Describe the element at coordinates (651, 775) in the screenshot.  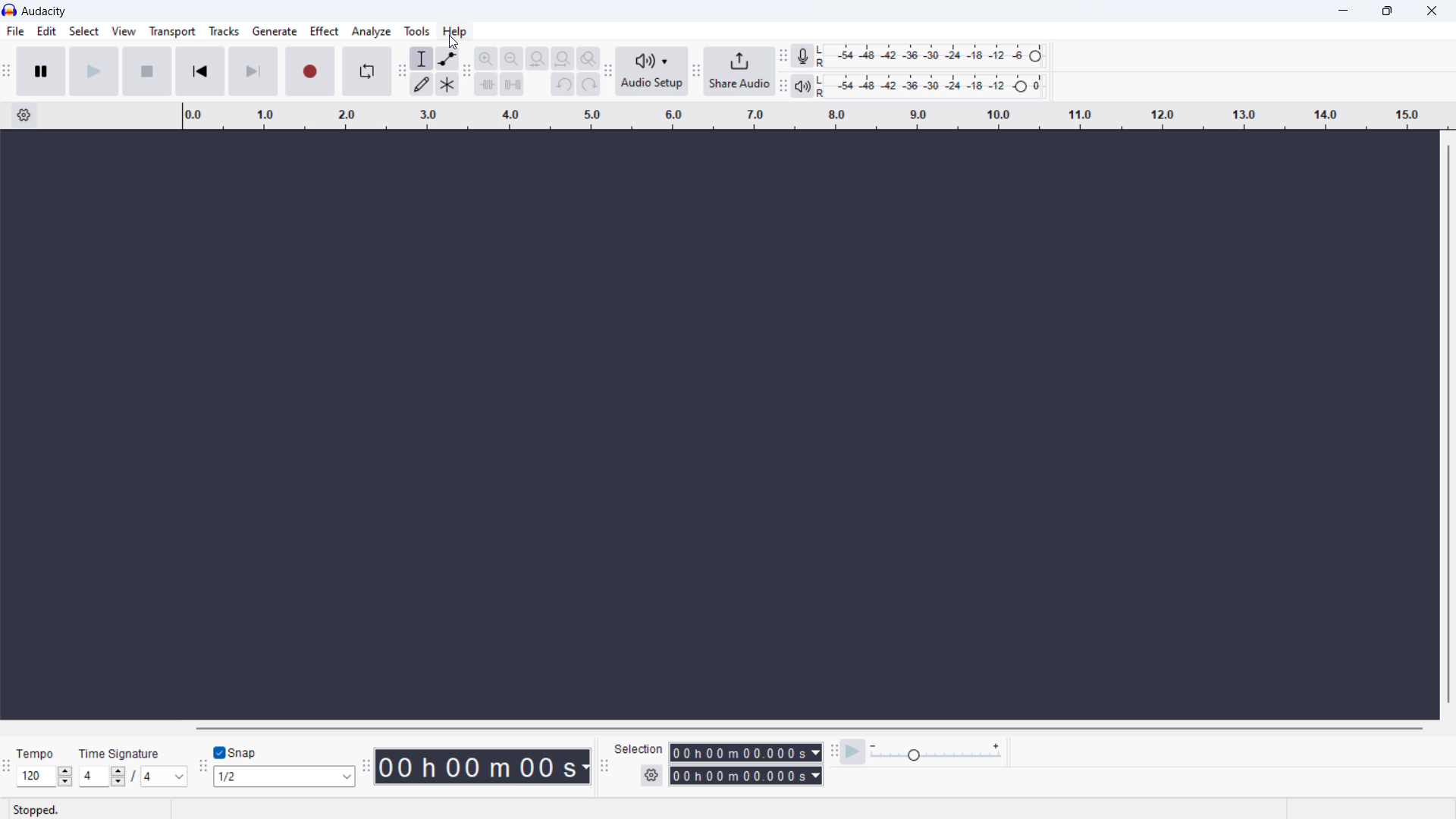
I see `settings` at that location.